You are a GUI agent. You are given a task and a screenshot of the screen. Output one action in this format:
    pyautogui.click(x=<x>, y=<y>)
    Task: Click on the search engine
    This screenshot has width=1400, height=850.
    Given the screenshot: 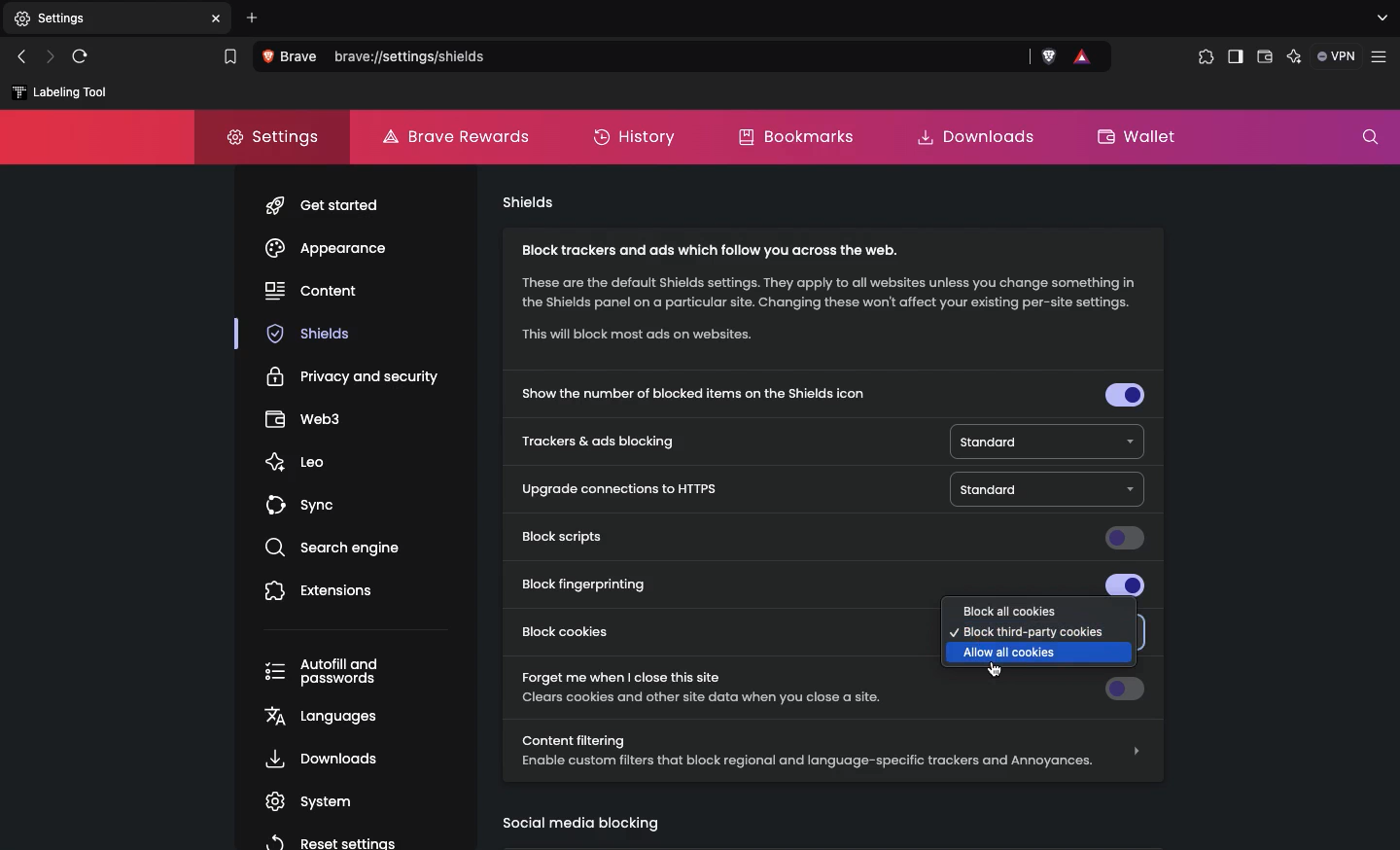 What is the action you would take?
    pyautogui.click(x=340, y=549)
    